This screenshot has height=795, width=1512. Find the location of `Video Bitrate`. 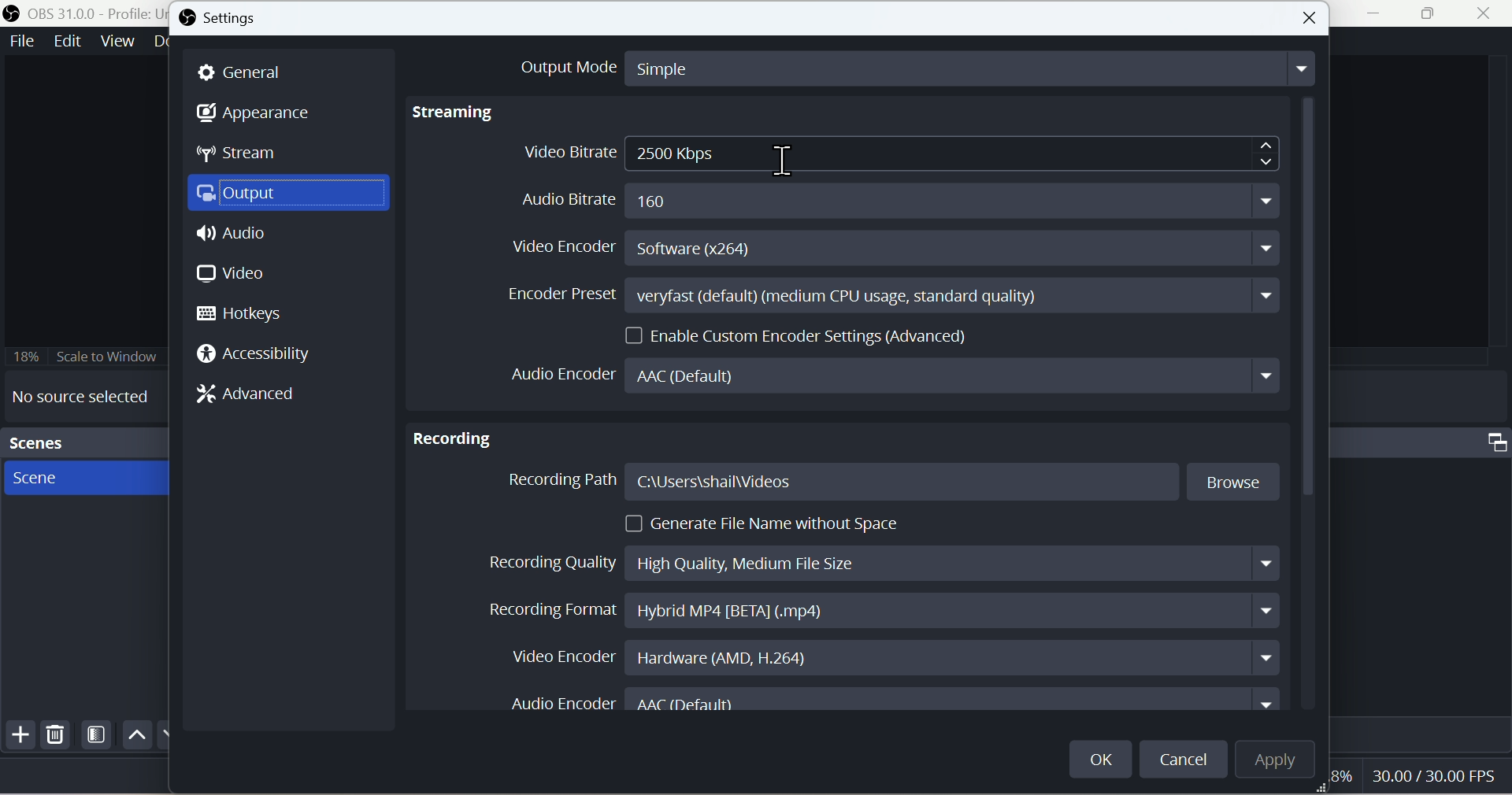

Video Bitrate is located at coordinates (897, 154).